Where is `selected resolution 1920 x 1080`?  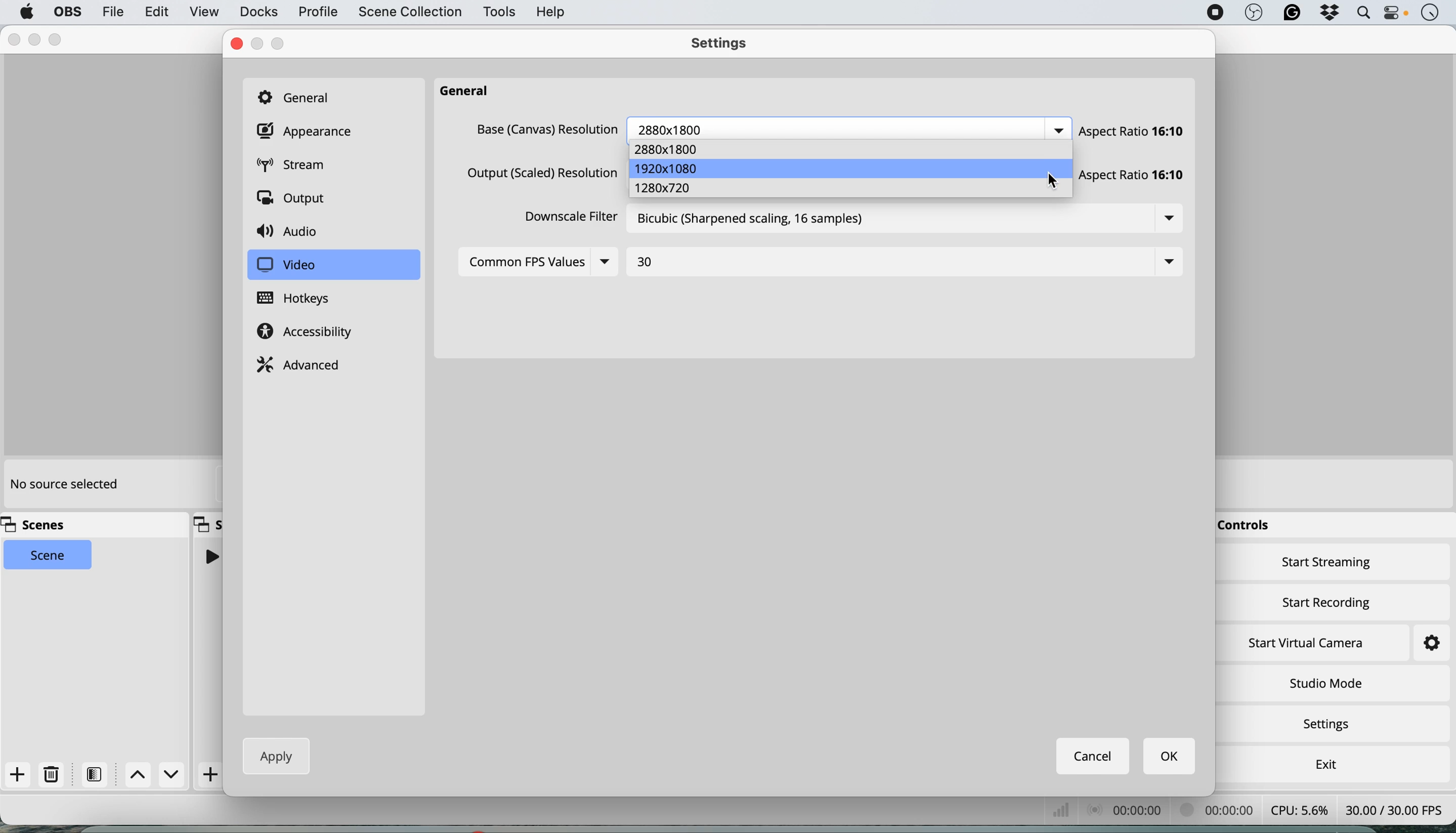
selected resolution 1920 x 1080 is located at coordinates (854, 168).